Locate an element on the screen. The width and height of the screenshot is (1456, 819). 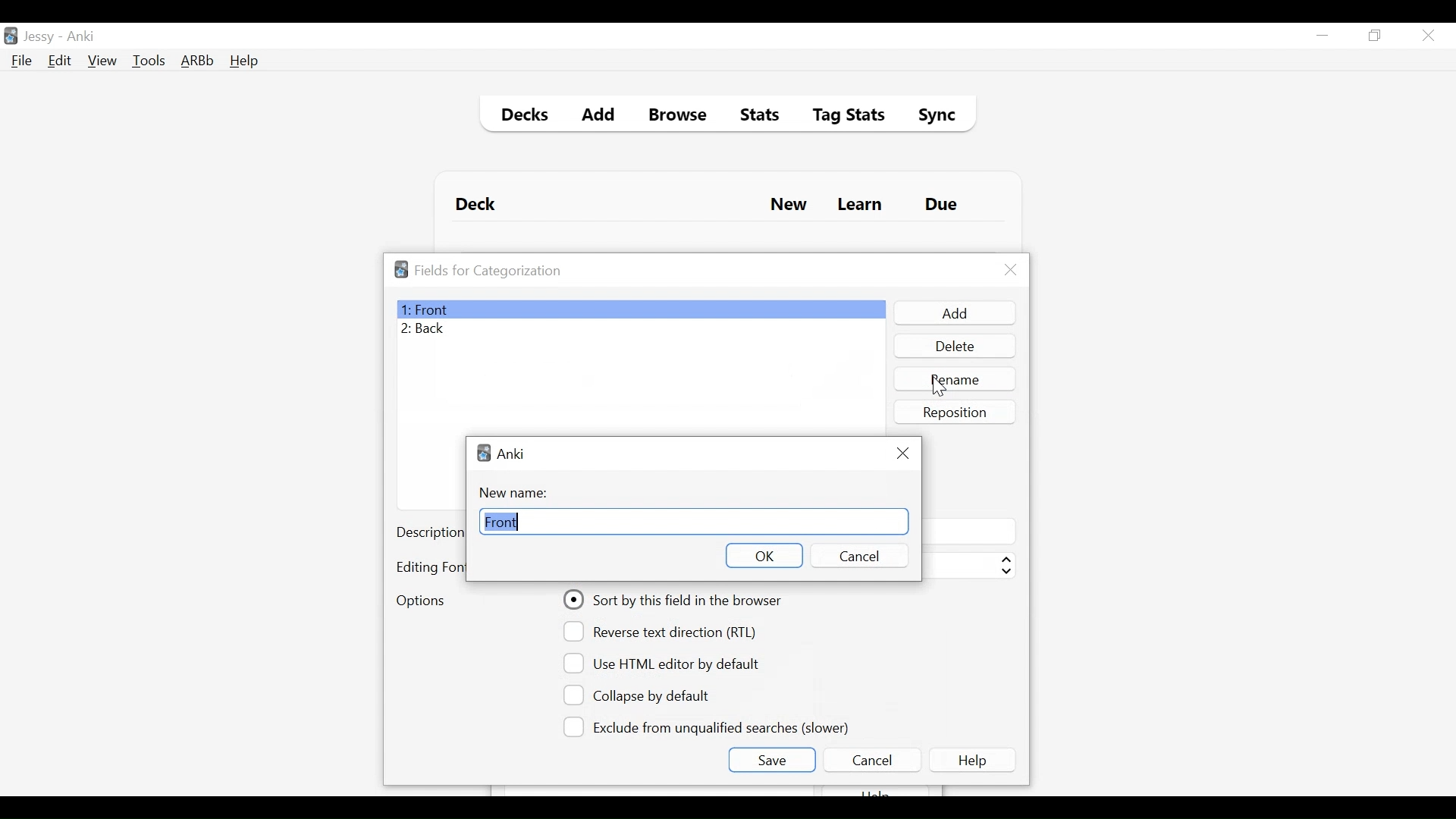
View is located at coordinates (103, 61).